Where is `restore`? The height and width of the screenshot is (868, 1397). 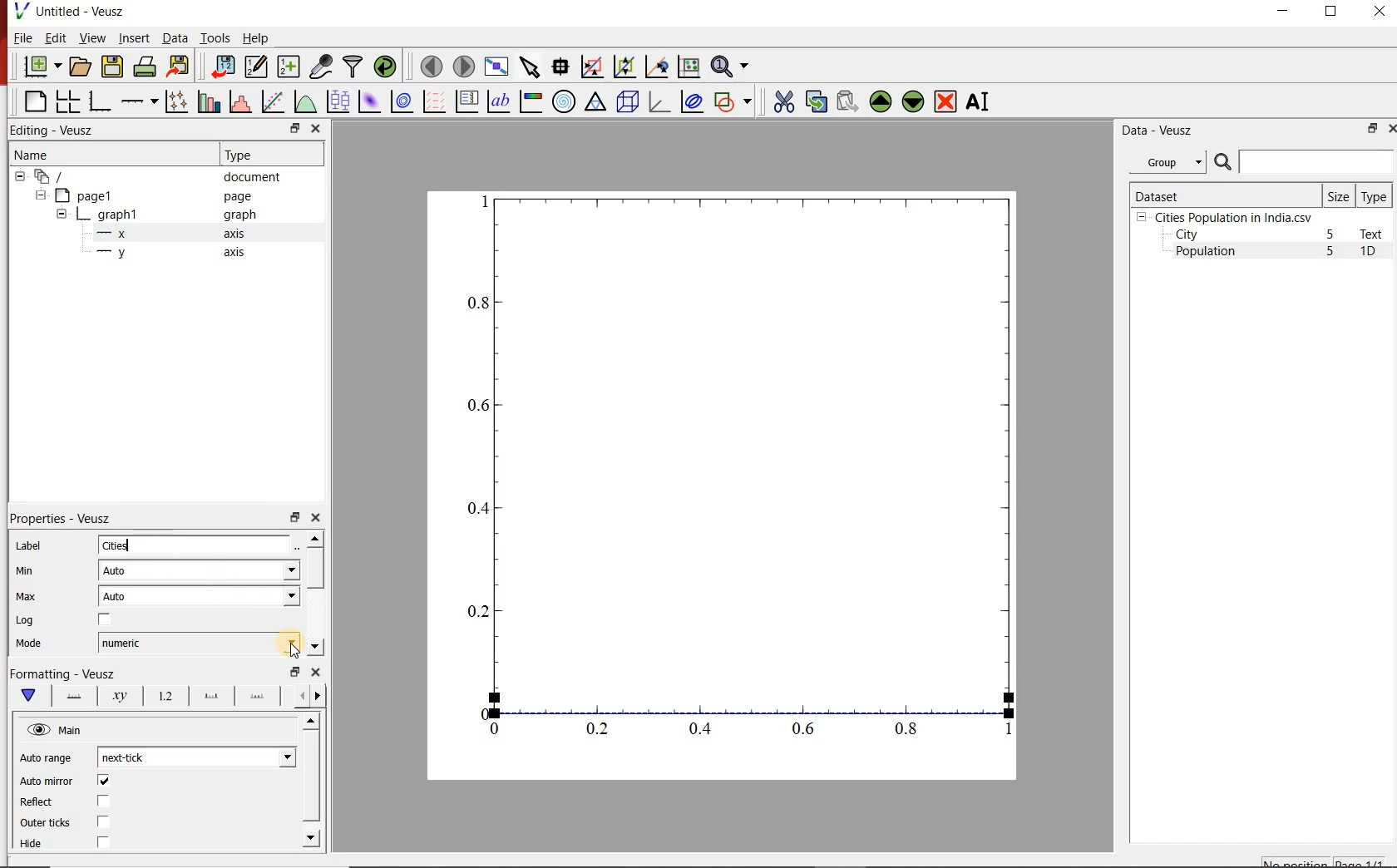 restore is located at coordinates (294, 672).